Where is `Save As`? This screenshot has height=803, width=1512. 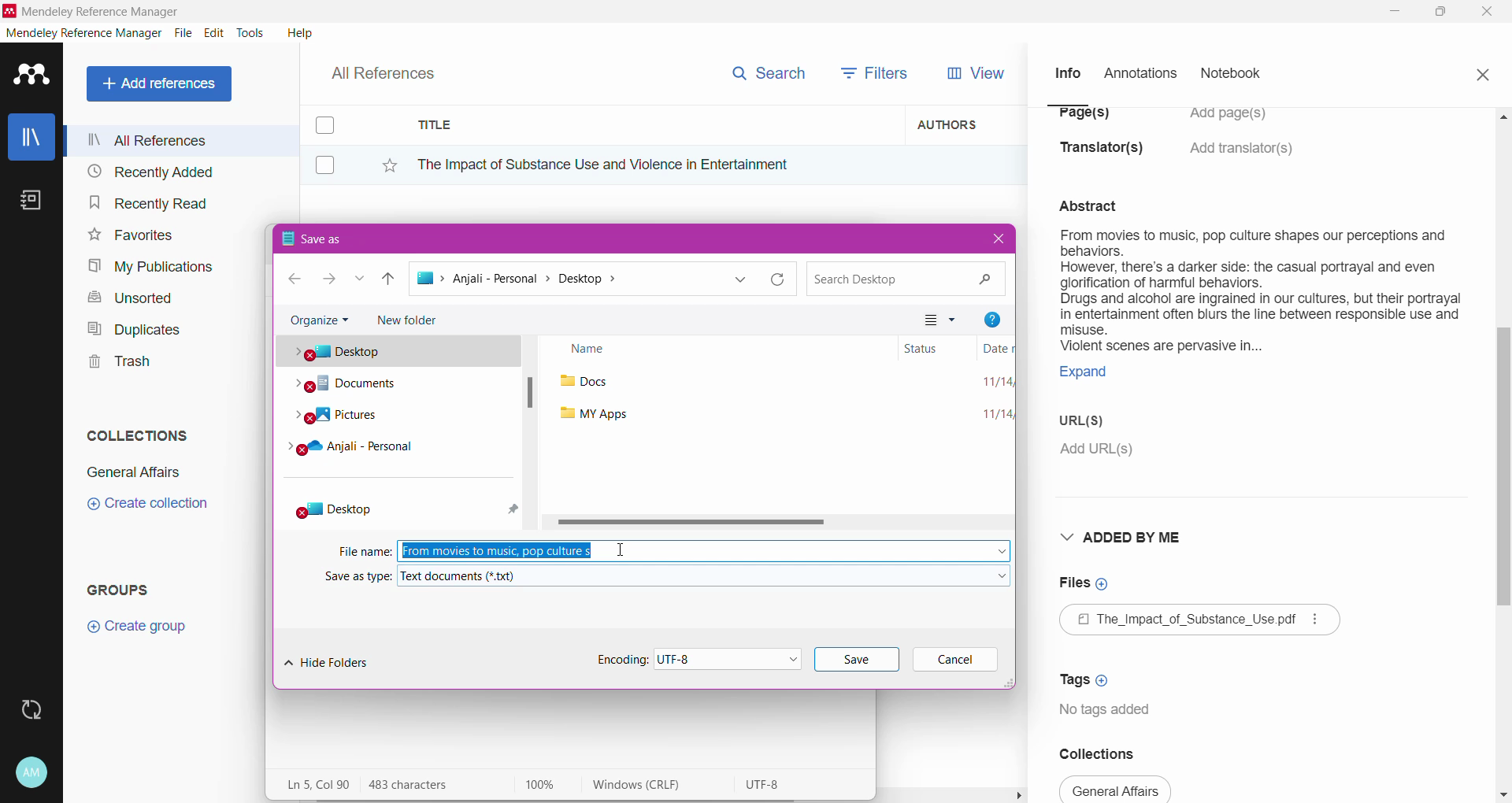 Save As is located at coordinates (391, 238).